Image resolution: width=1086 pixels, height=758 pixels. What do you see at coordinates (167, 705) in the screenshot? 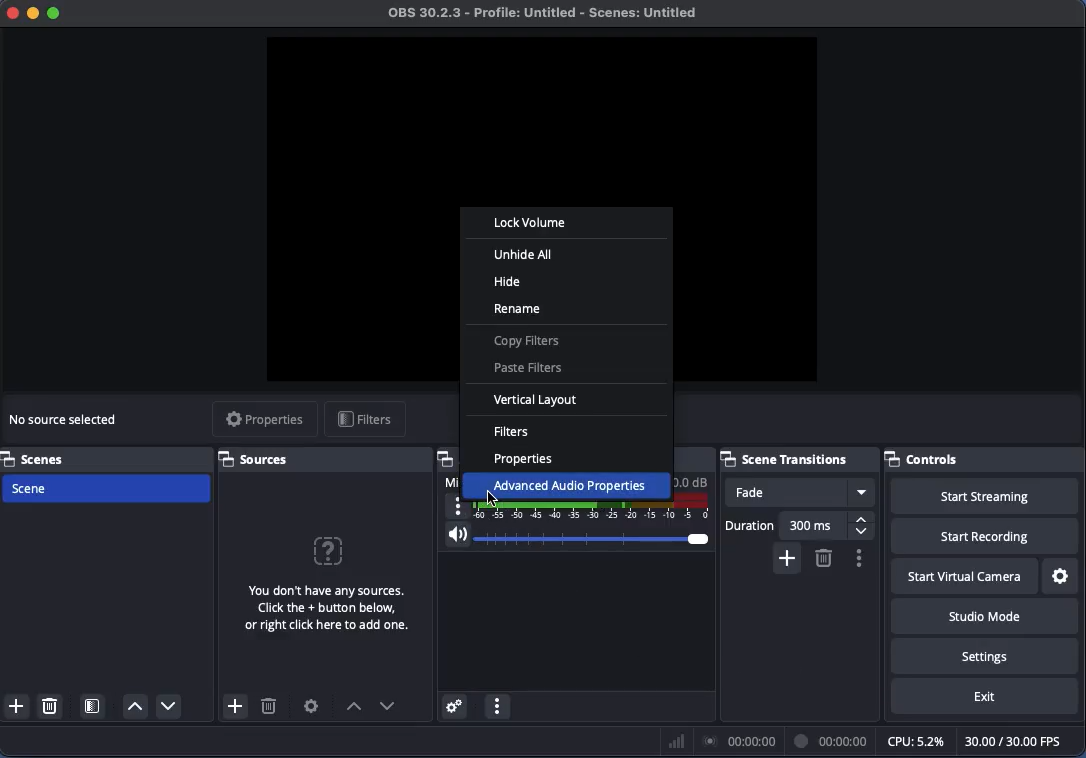
I see `Move down` at bounding box center [167, 705].